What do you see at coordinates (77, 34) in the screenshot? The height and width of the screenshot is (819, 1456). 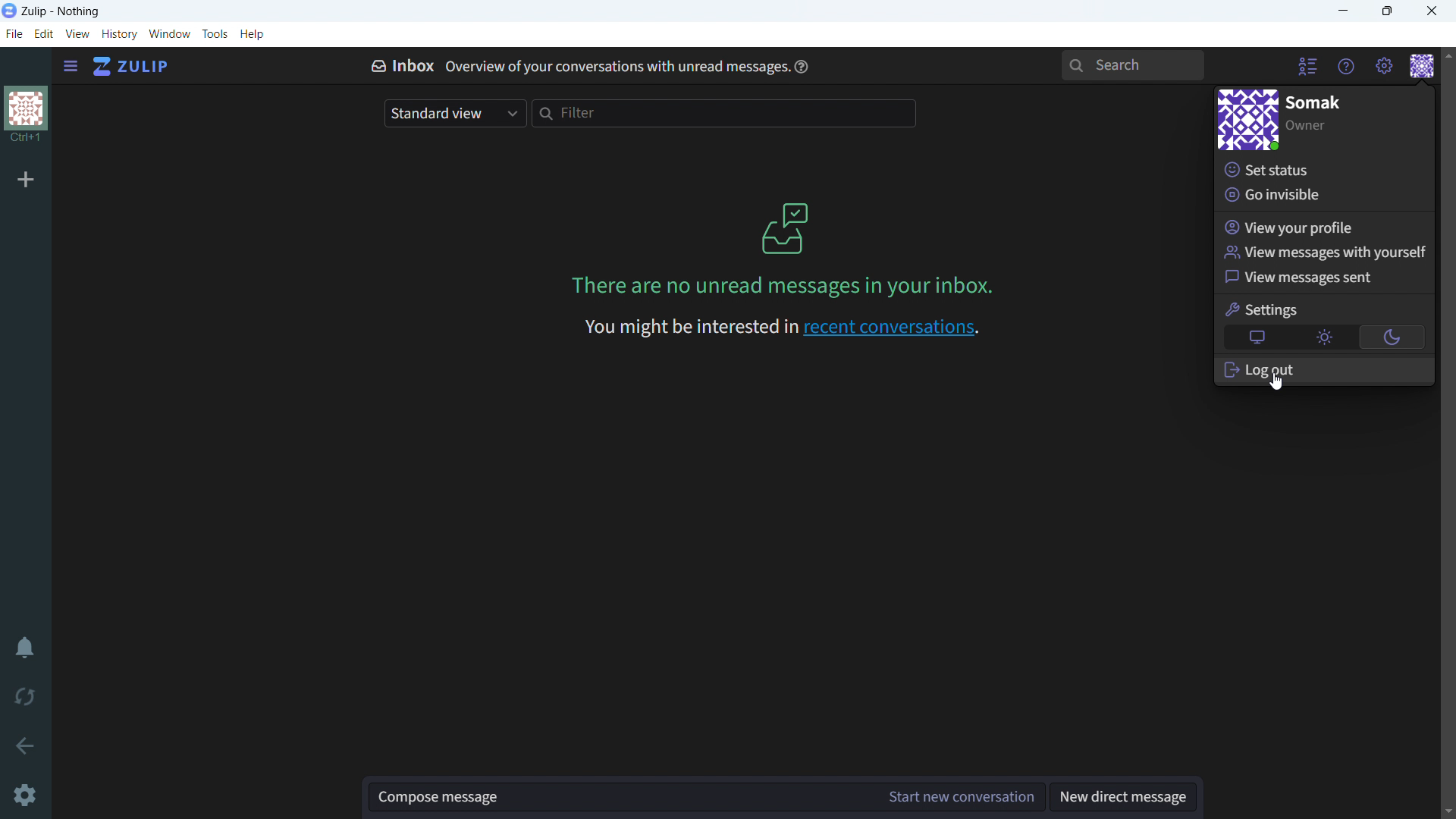 I see `view` at bounding box center [77, 34].